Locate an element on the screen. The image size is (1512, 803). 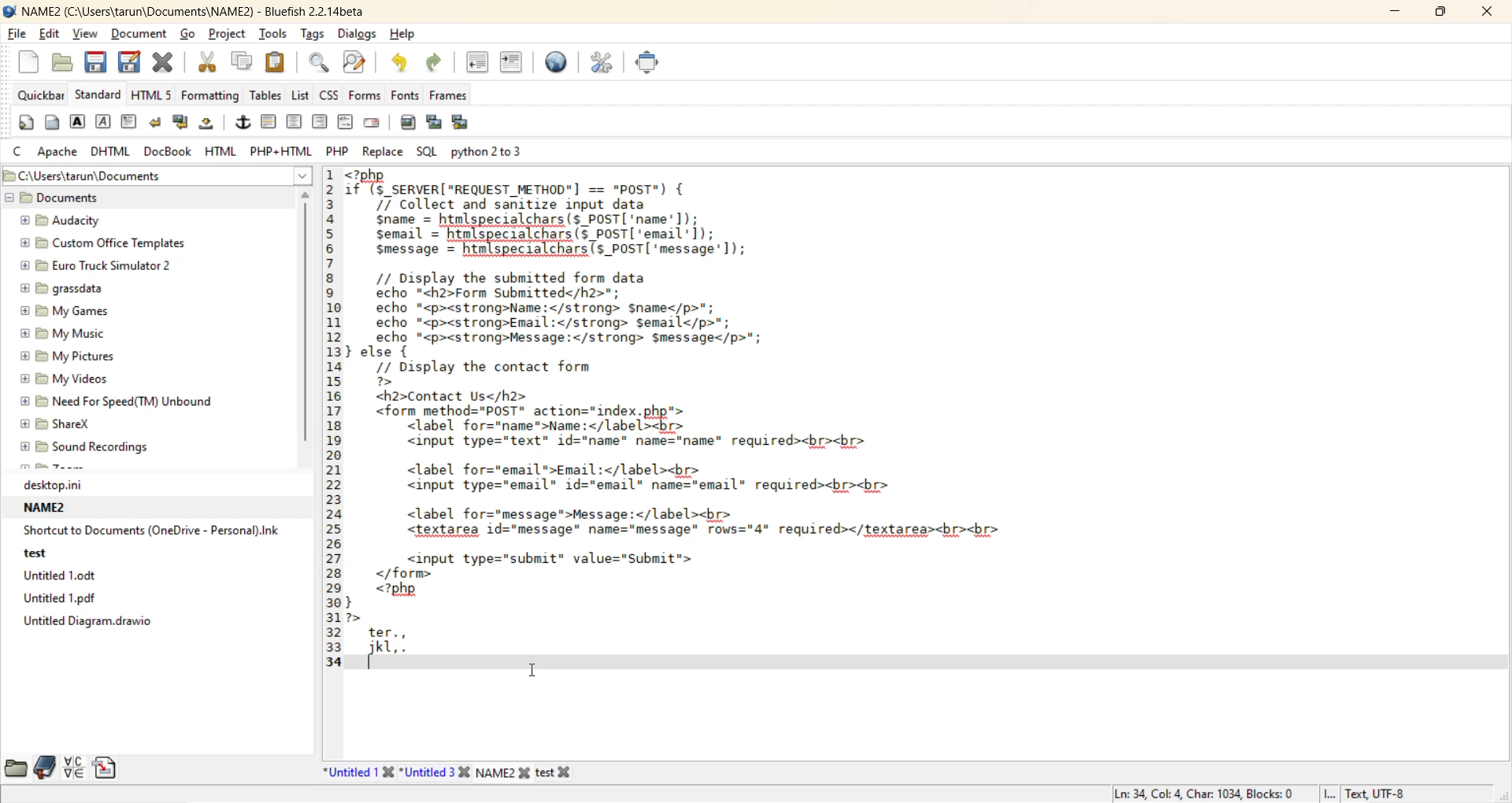
 grassdata is located at coordinates (62, 290).